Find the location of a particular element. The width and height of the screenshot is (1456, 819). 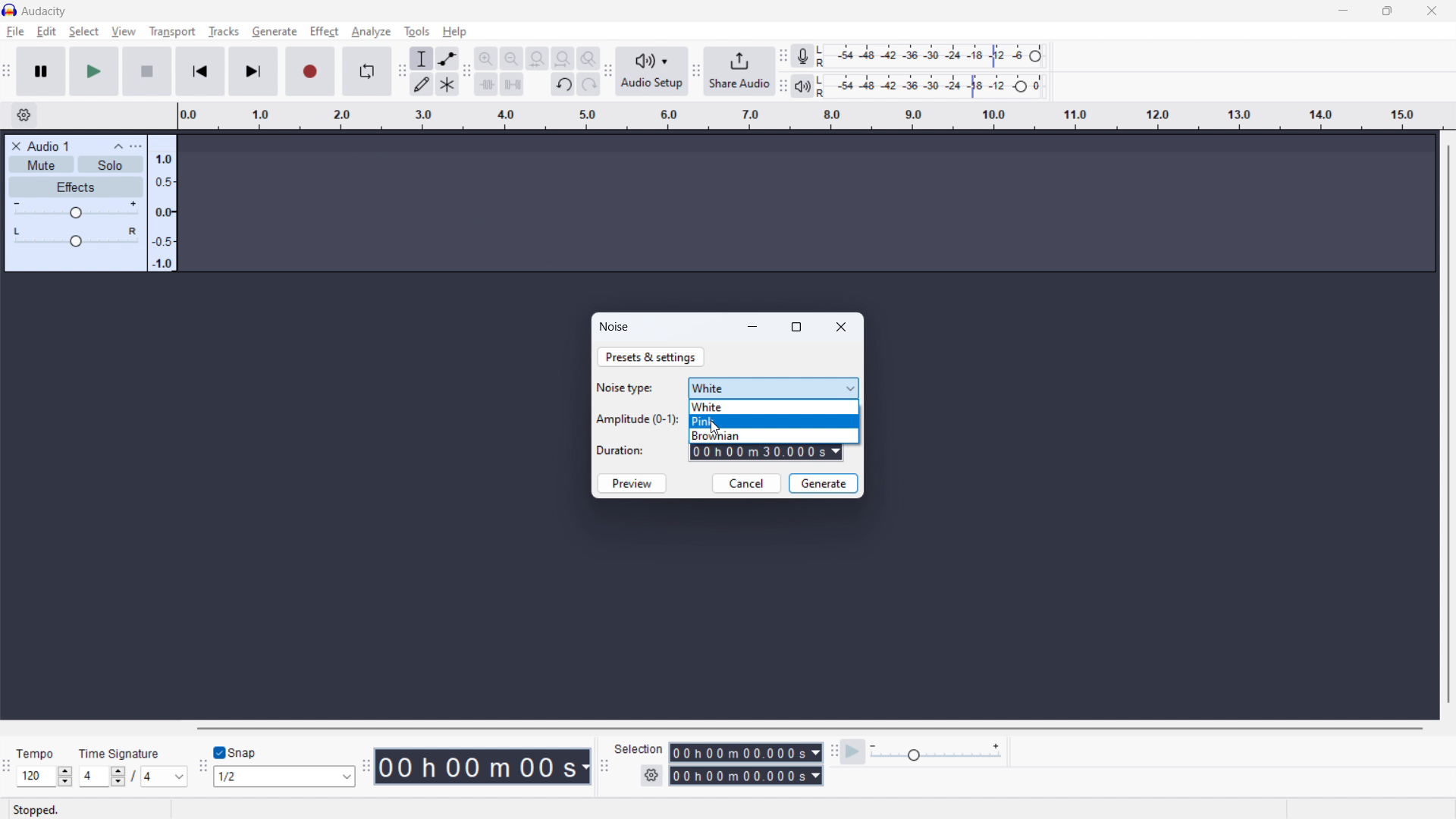

enable loop is located at coordinates (366, 71).